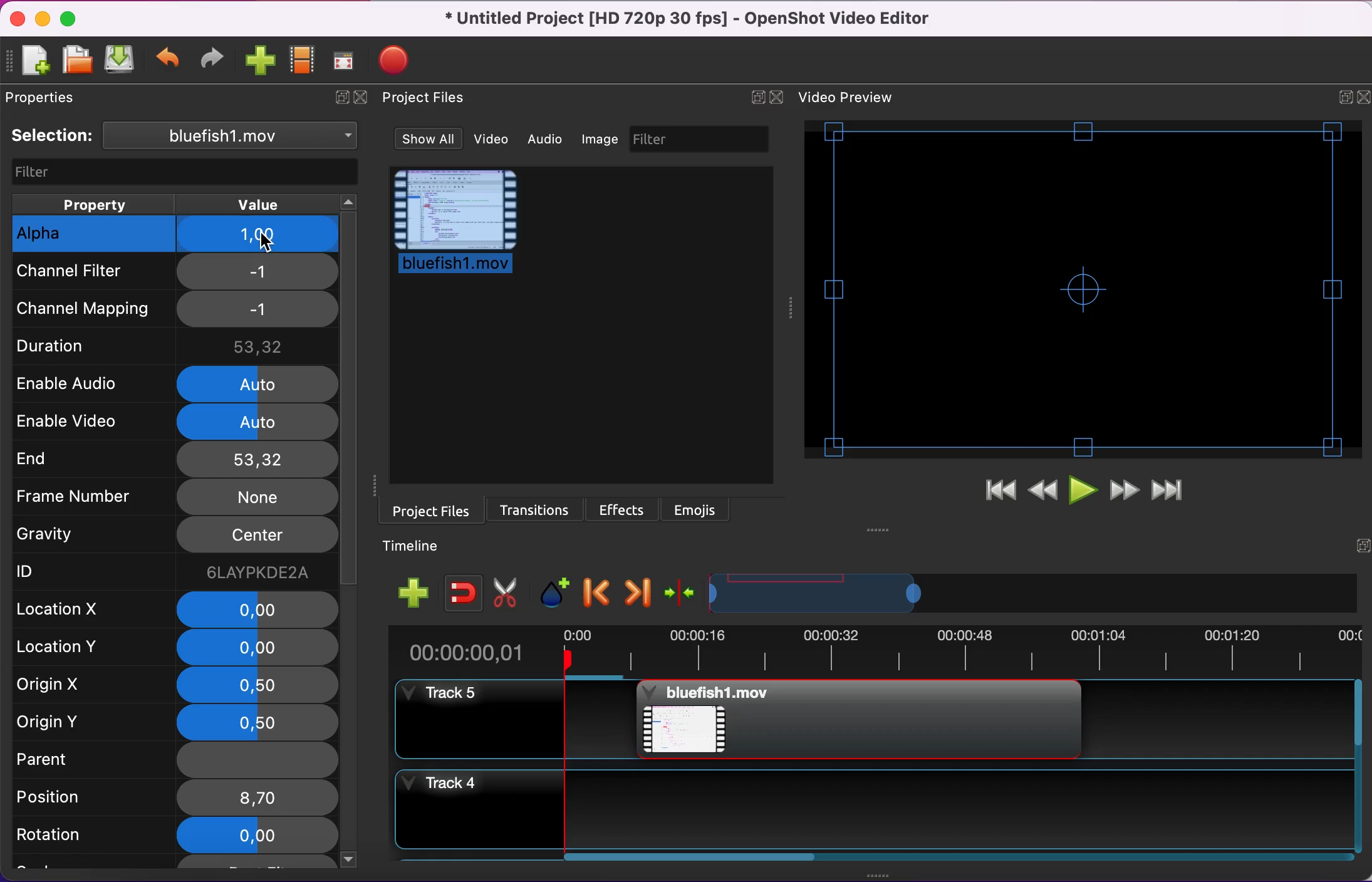 The height and width of the screenshot is (882, 1372). What do you see at coordinates (816, 596) in the screenshot?
I see `timeline` at bounding box center [816, 596].